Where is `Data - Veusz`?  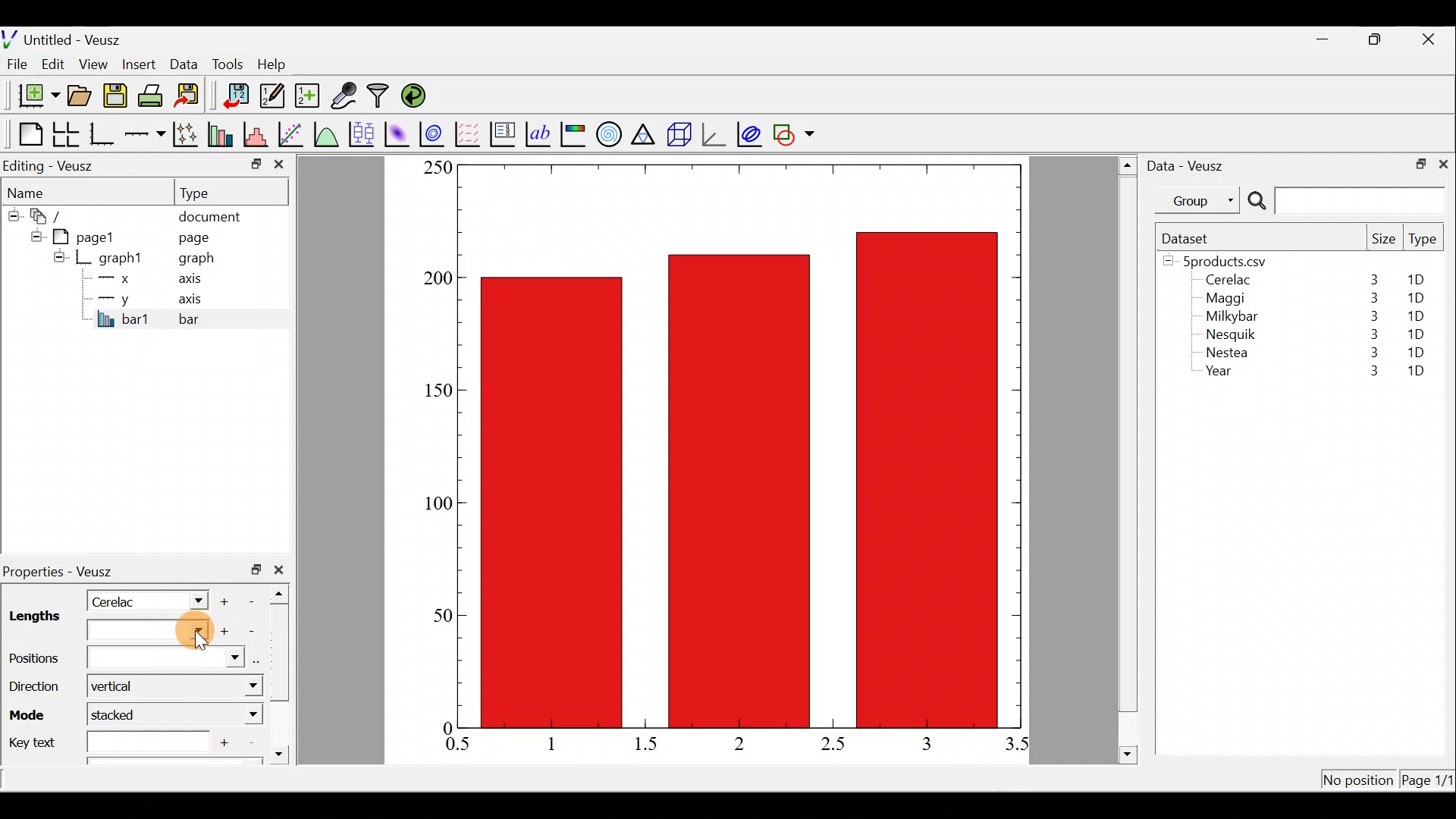
Data - Veusz is located at coordinates (1189, 164).